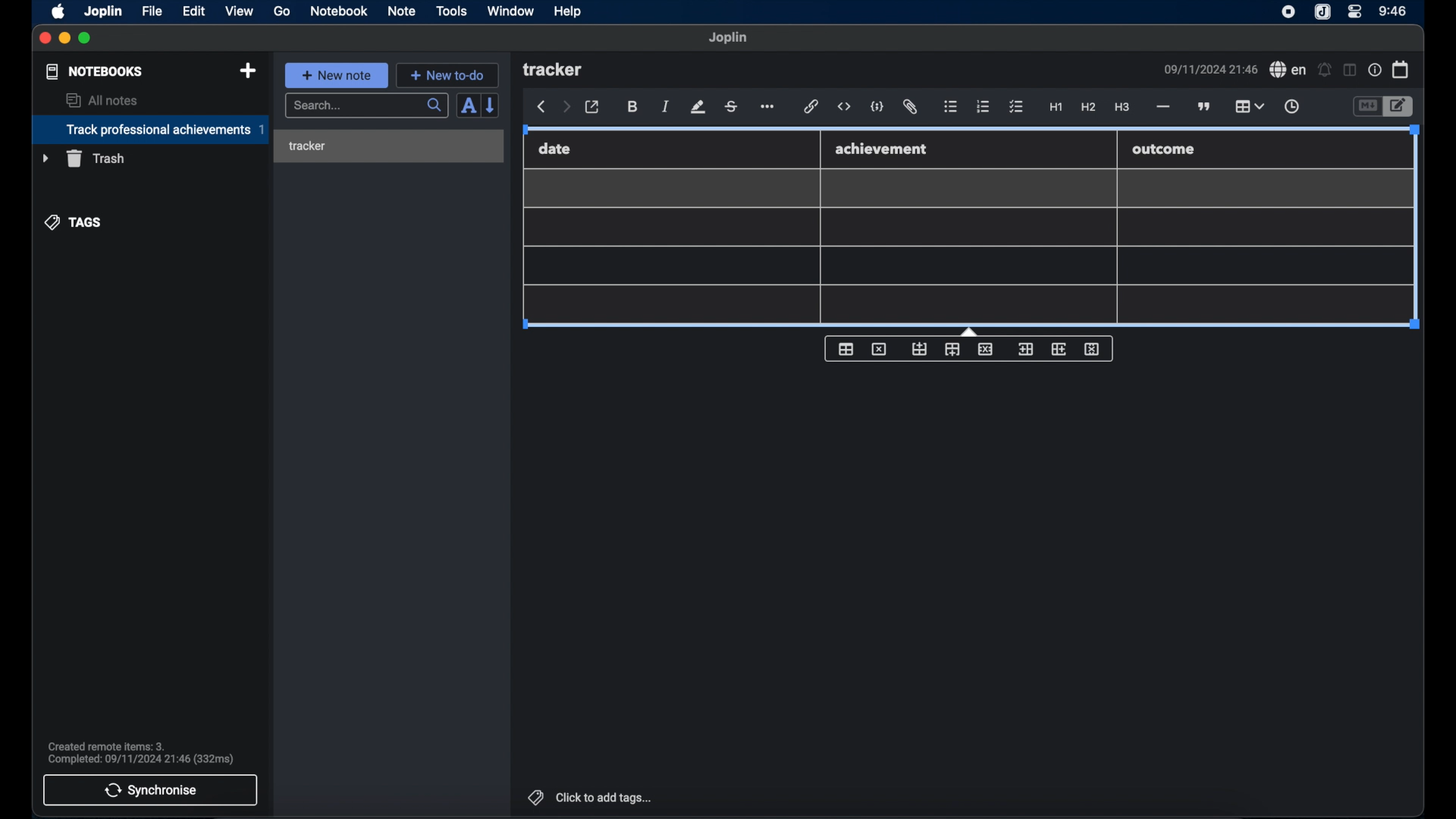 Image resolution: width=1456 pixels, height=819 pixels. What do you see at coordinates (104, 11) in the screenshot?
I see `joplin` at bounding box center [104, 11].